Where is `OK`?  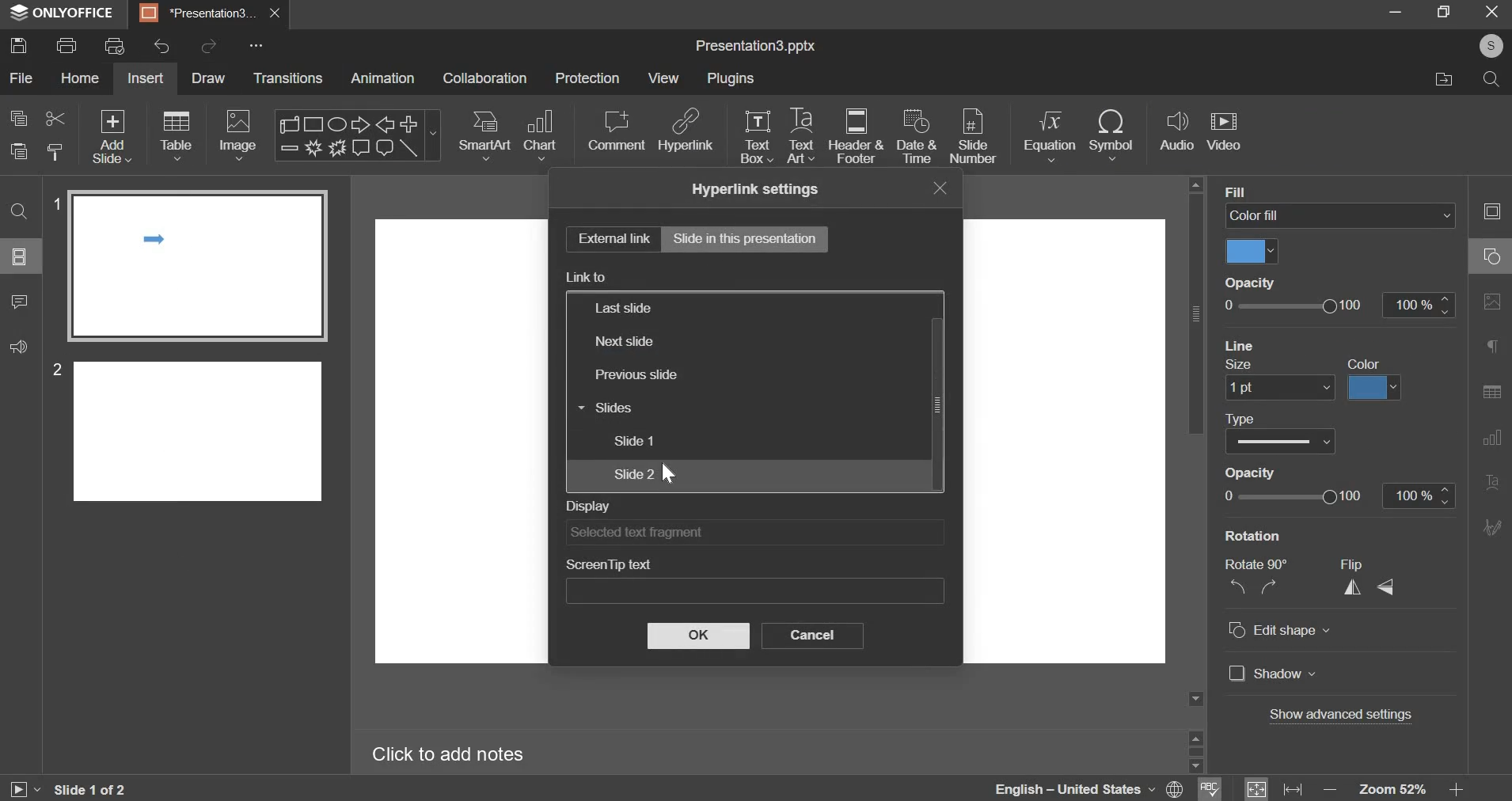
OK is located at coordinates (701, 636).